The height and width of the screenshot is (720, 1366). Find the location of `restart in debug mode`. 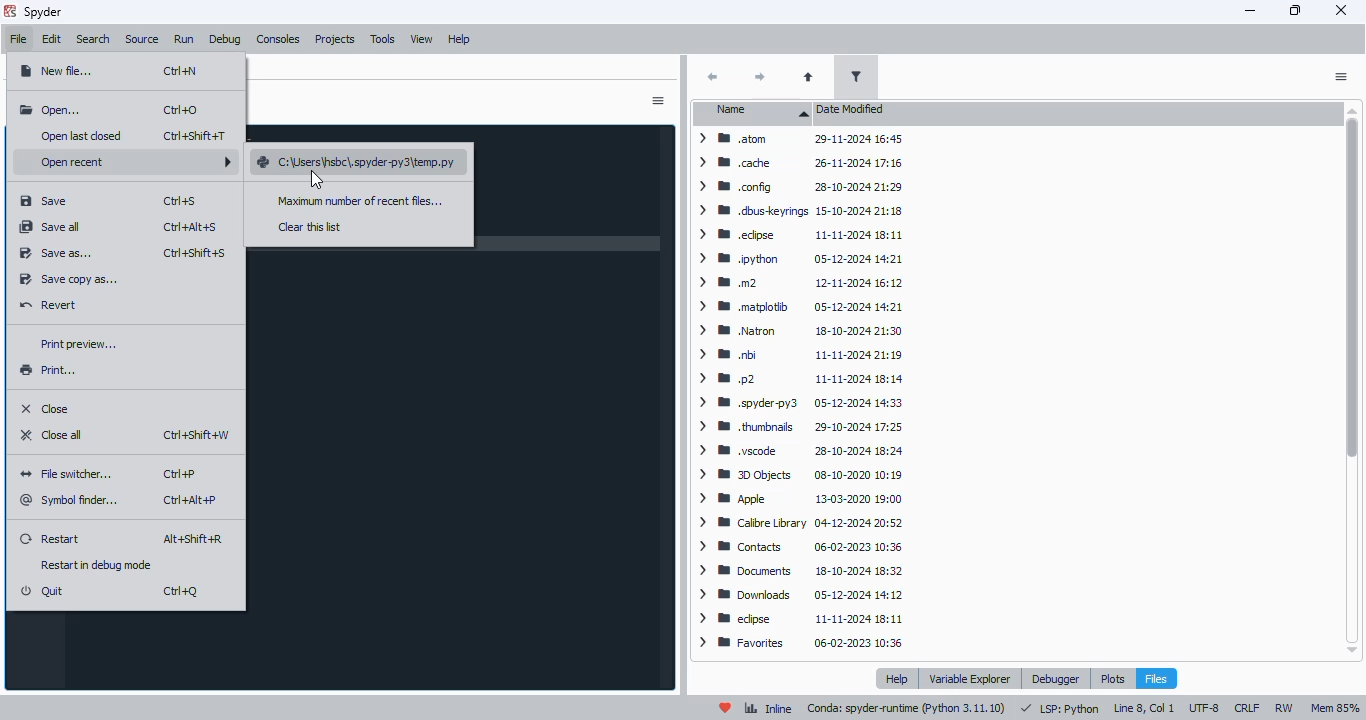

restart in debug mode is located at coordinates (98, 565).